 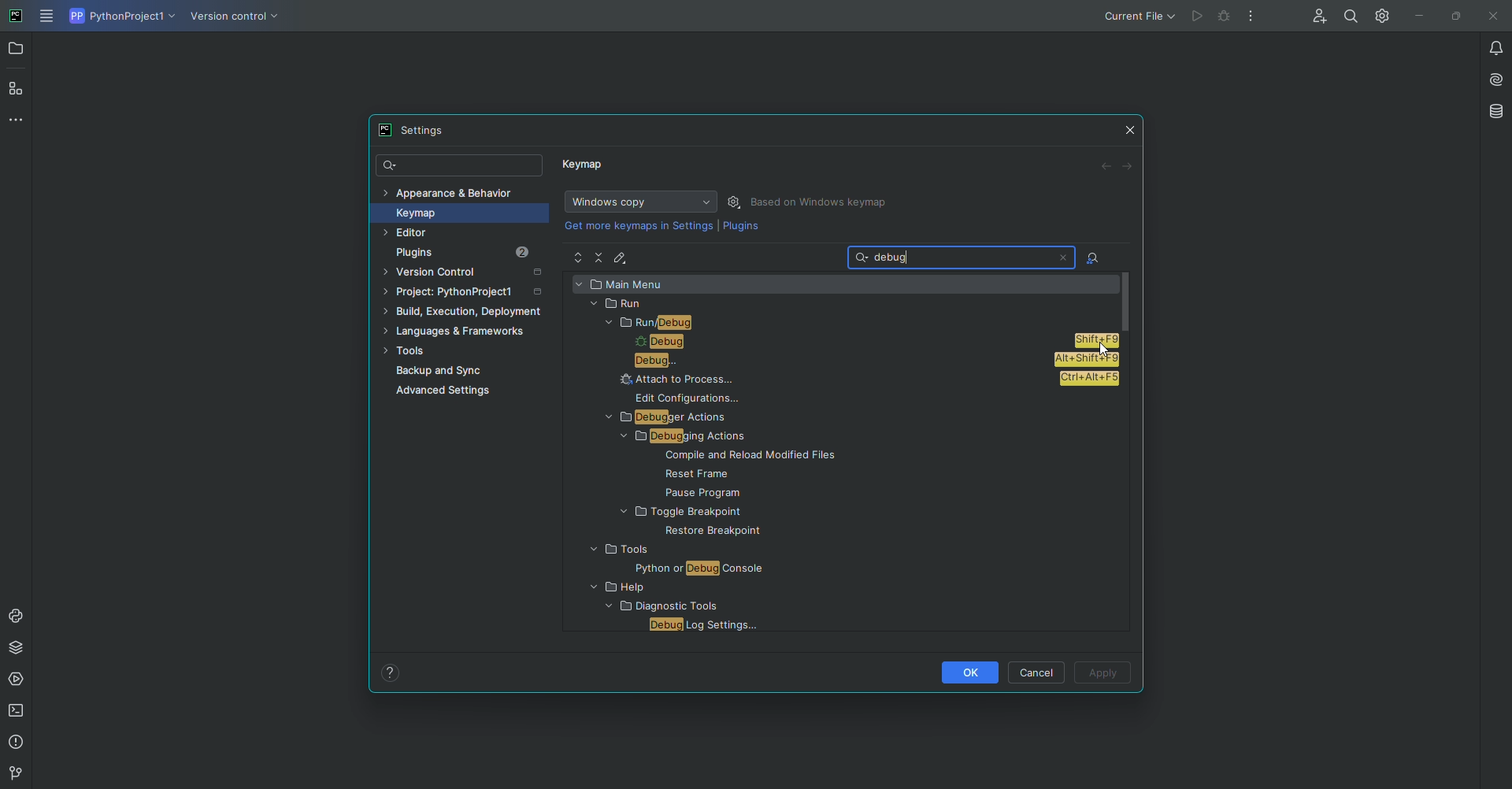 I want to click on FILE NAME, so click(x=756, y=474).